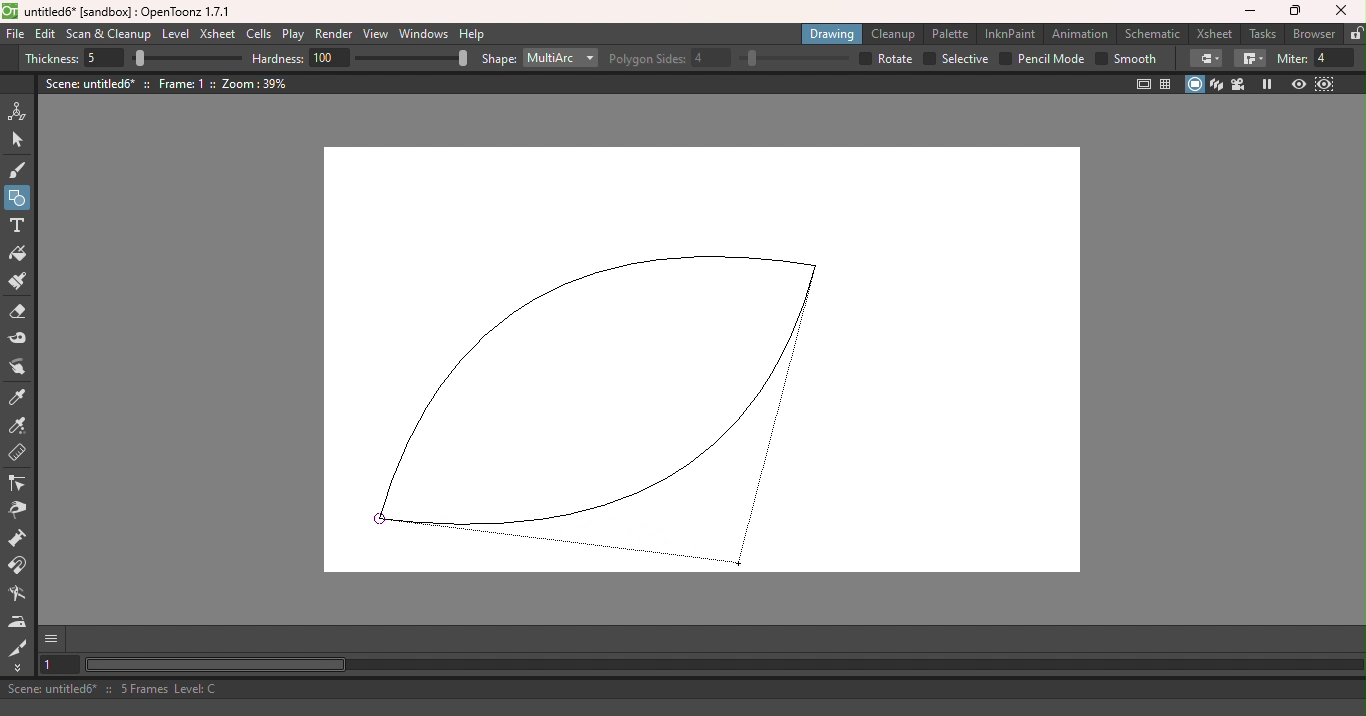 The width and height of the screenshot is (1366, 716). Describe the element at coordinates (17, 341) in the screenshot. I see `Tape tool` at that location.